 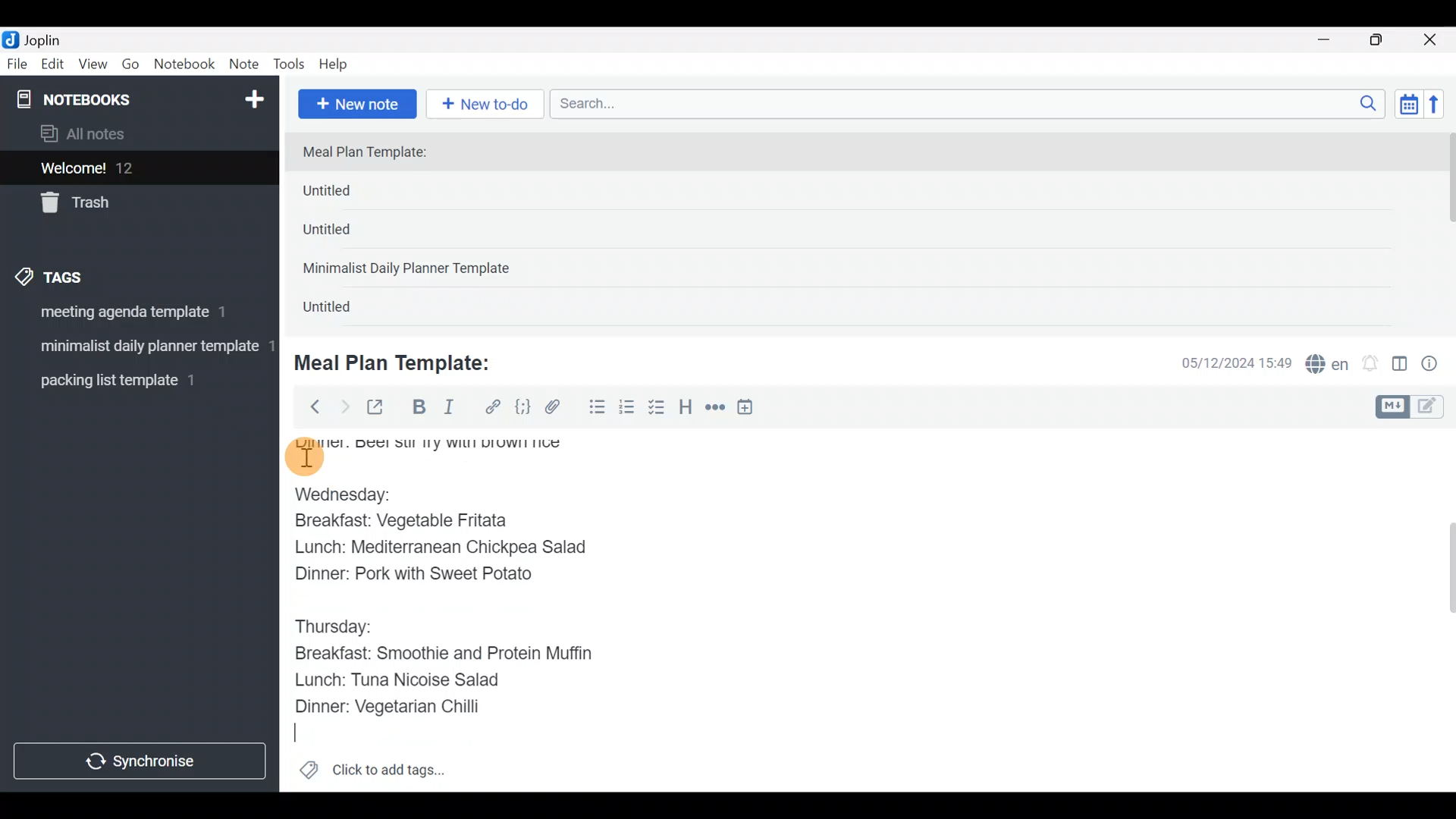 What do you see at coordinates (135, 316) in the screenshot?
I see `Tag 1` at bounding box center [135, 316].